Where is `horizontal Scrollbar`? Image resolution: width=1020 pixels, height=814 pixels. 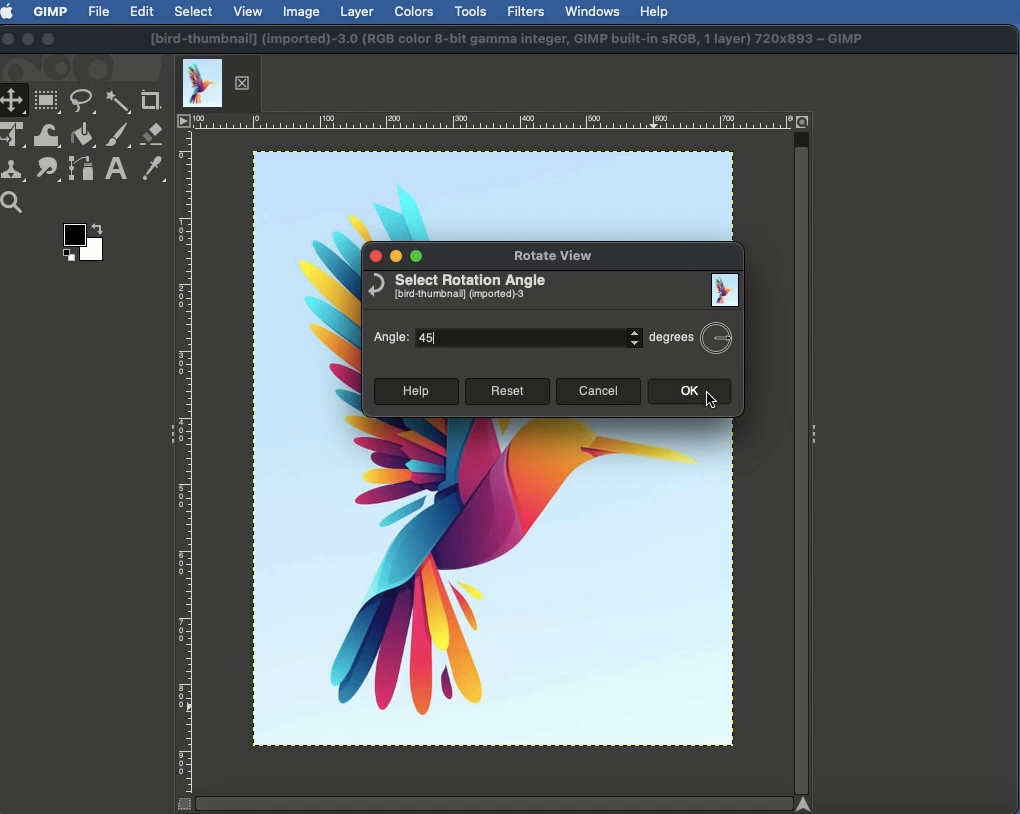
horizontal Scrollbar is located at coordinates (492, 802).